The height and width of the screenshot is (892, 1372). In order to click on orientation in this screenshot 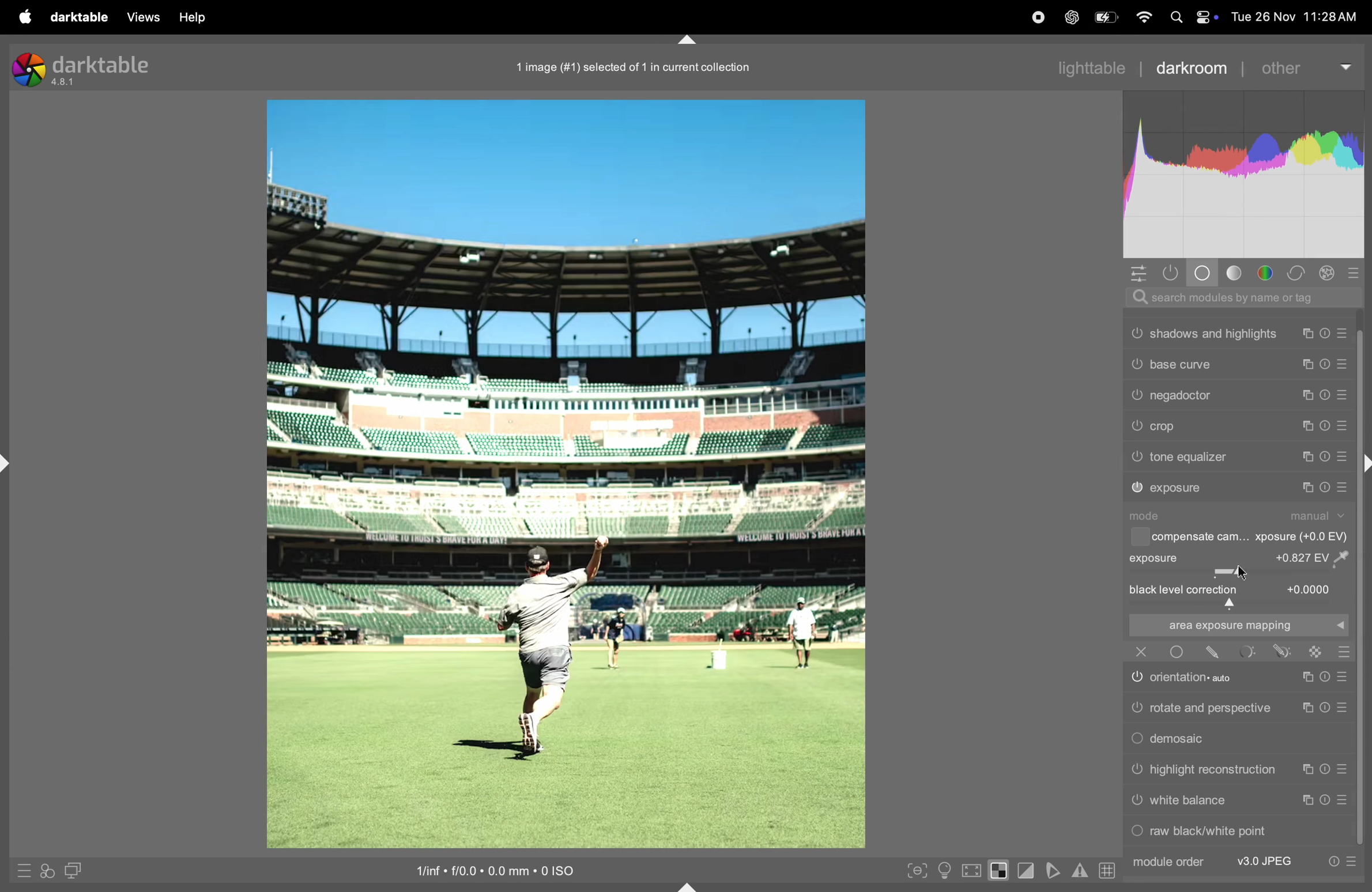, I will do `click(1201, 676)`.